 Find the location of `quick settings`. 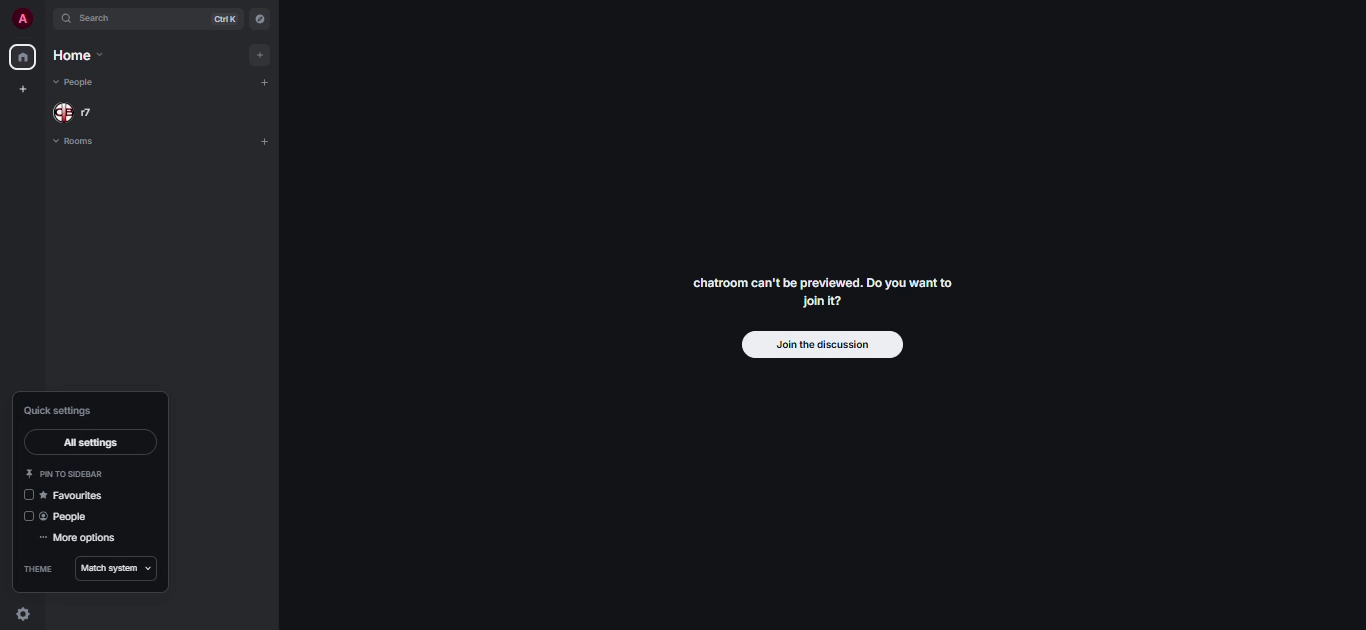

quick settings is located at coordinates (74, 615).